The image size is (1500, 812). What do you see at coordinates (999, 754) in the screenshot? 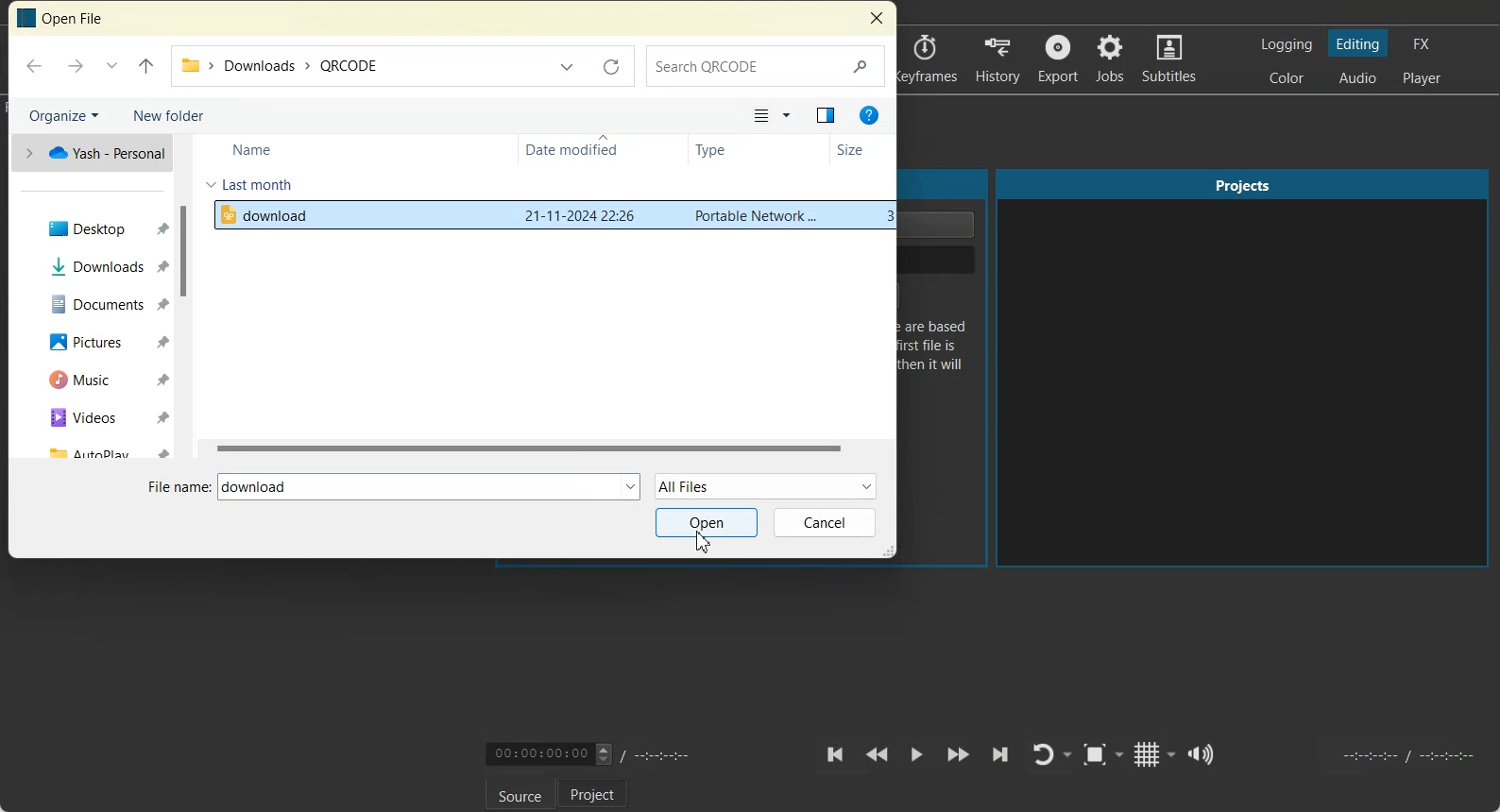
I see `Skip to the next point` at bounding box center [999, 754].